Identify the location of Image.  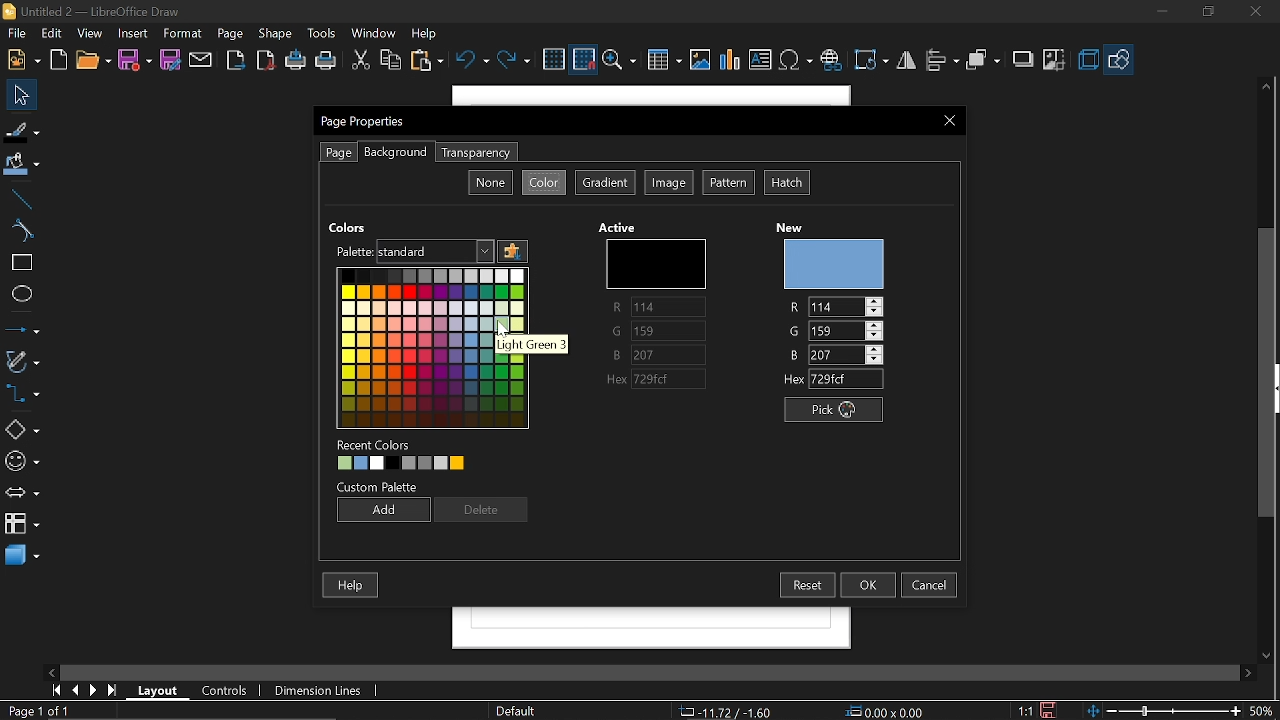
(669, 182).